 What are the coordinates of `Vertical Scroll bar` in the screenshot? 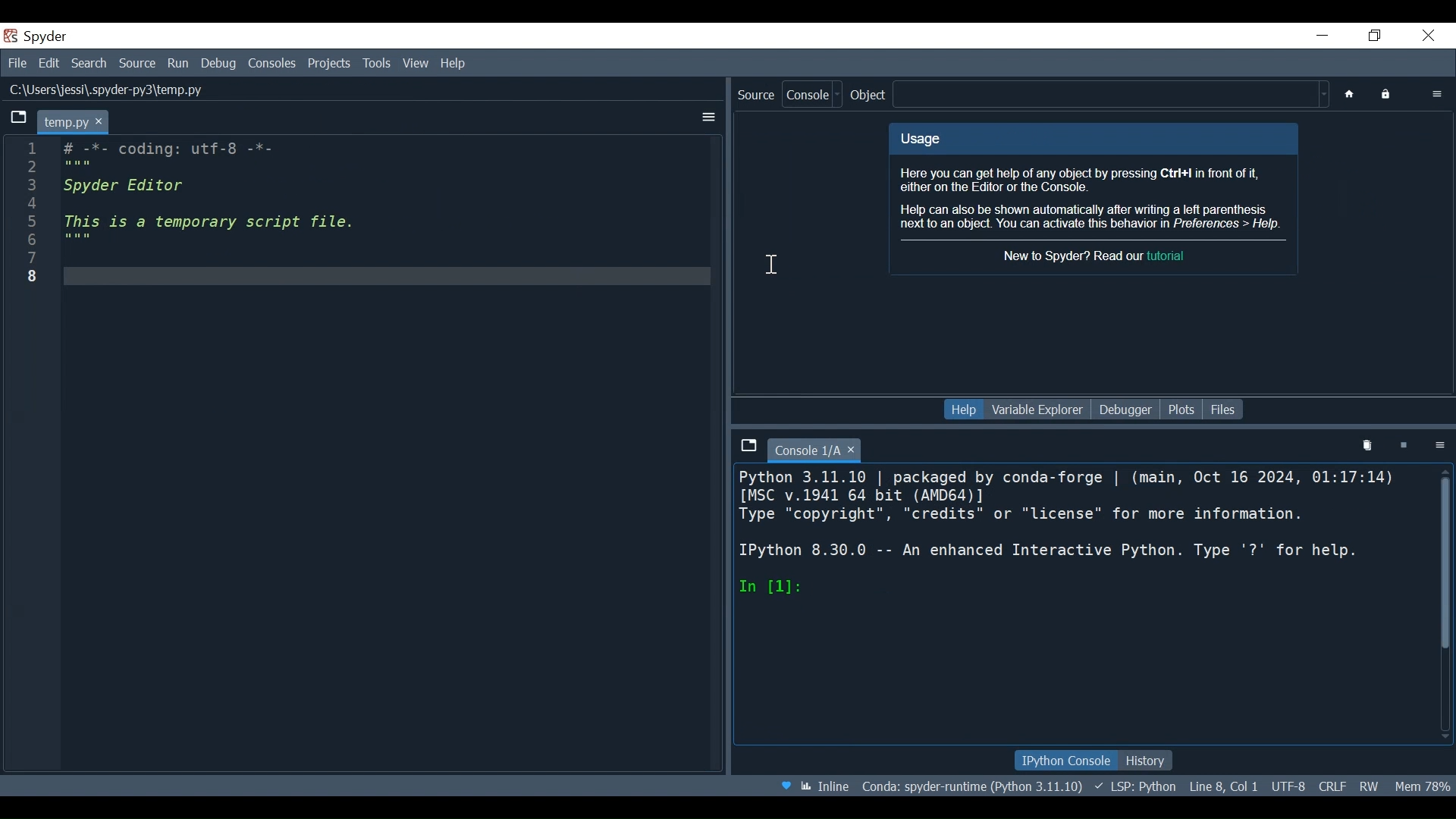 It's located at (1445, 564).